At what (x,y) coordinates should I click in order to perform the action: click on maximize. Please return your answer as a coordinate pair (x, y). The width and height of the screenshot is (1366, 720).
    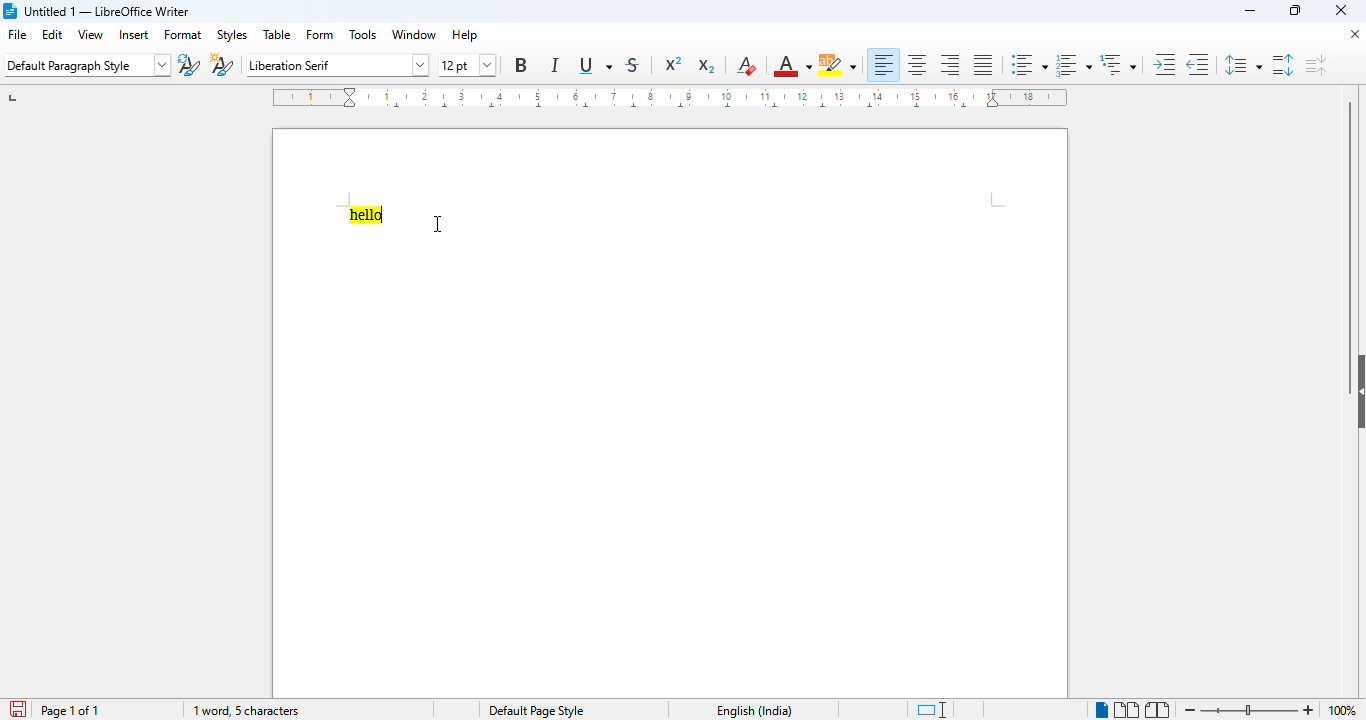
    Looking at the image, I should click on (1294, 9).